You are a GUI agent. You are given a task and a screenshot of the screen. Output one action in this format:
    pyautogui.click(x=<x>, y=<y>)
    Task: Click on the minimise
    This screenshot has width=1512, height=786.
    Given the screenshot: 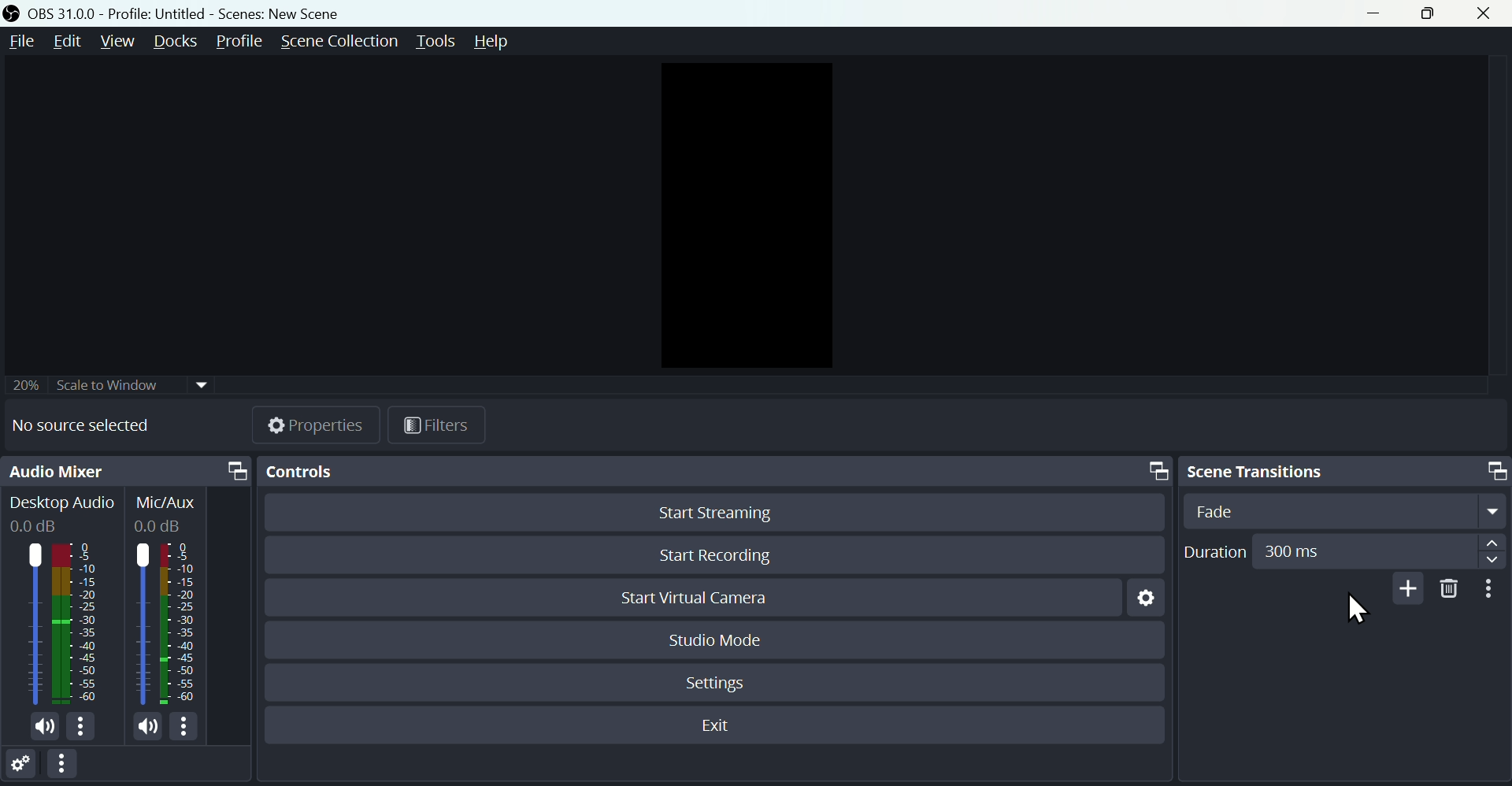 What is the action you would take?
    pyautogui.click(x=1380, y=13)
    